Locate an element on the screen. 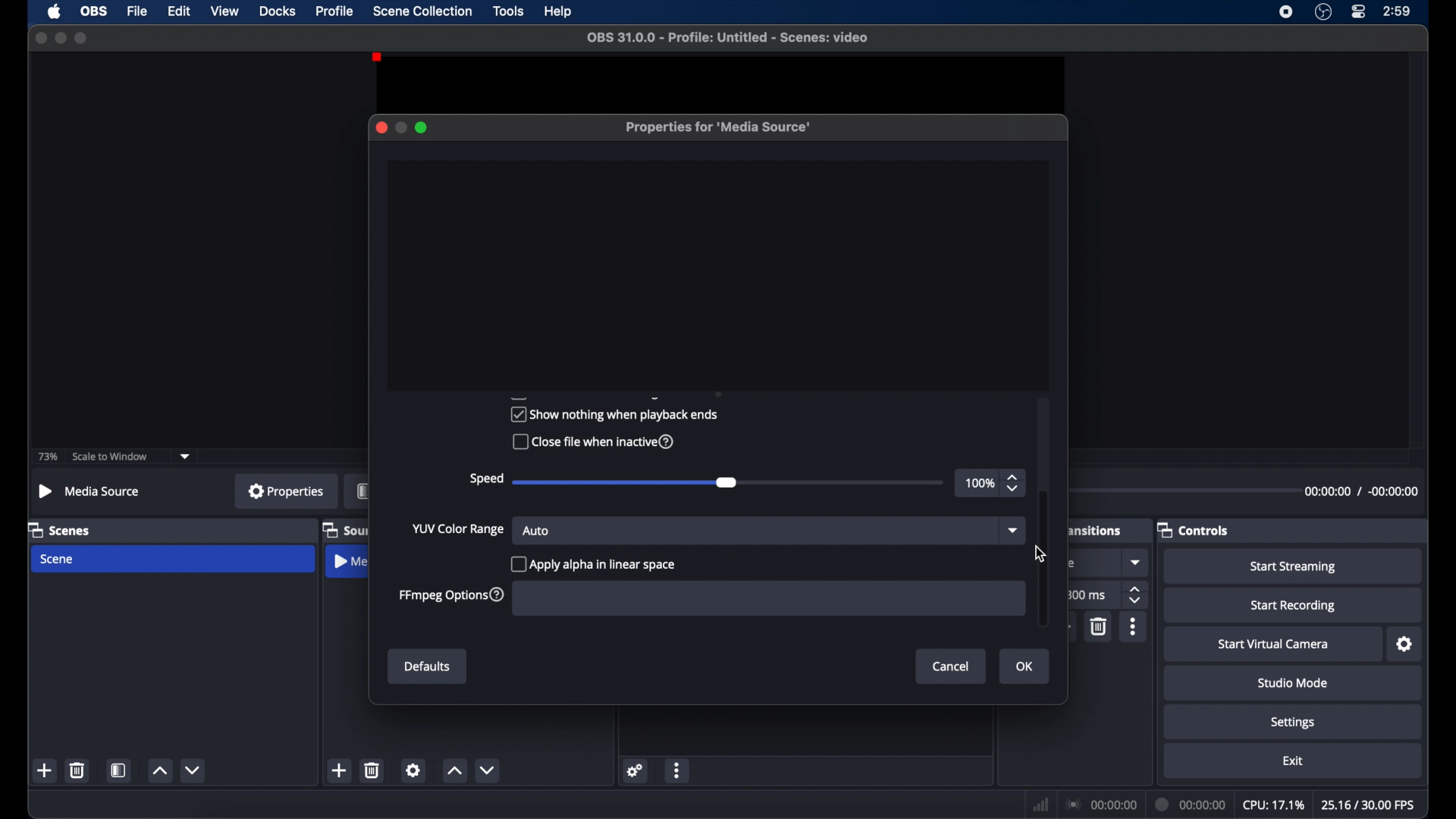  cpu is located at coordinates (1274, 805).